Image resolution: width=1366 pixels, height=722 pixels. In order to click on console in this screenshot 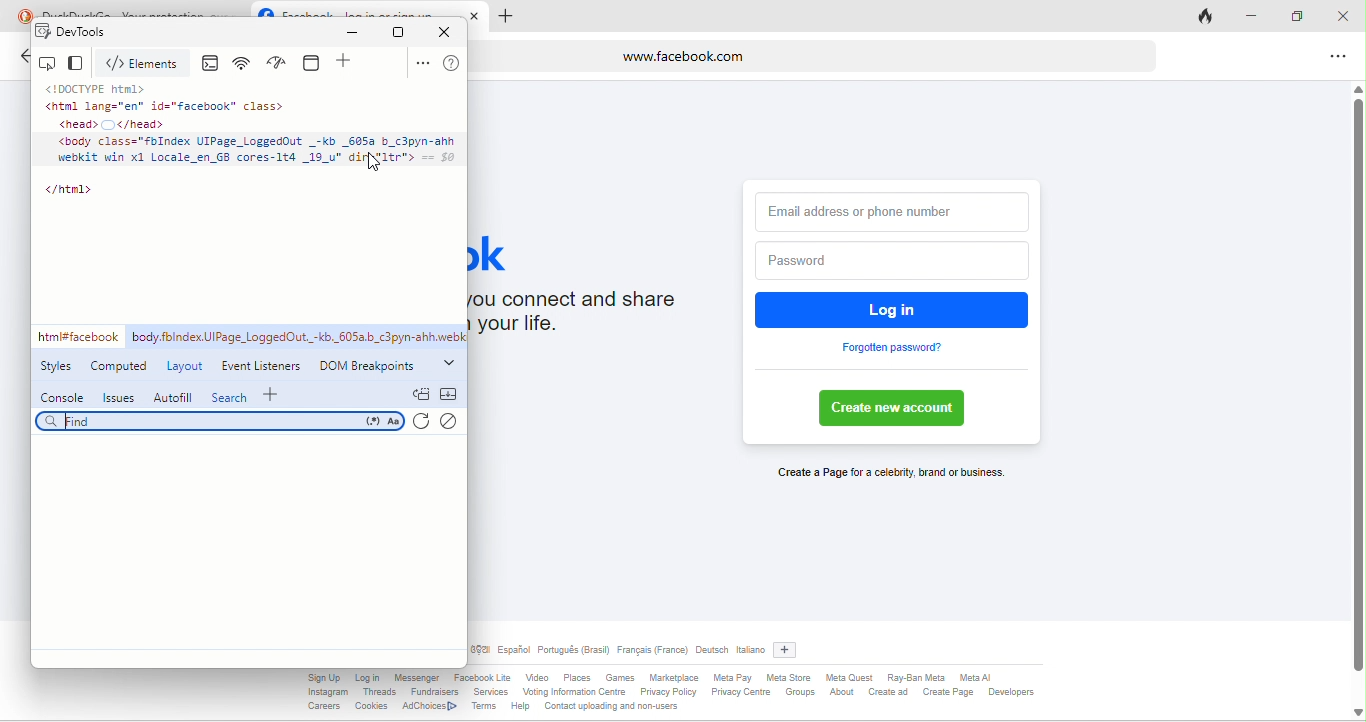, I will do `click(214, 64)`.